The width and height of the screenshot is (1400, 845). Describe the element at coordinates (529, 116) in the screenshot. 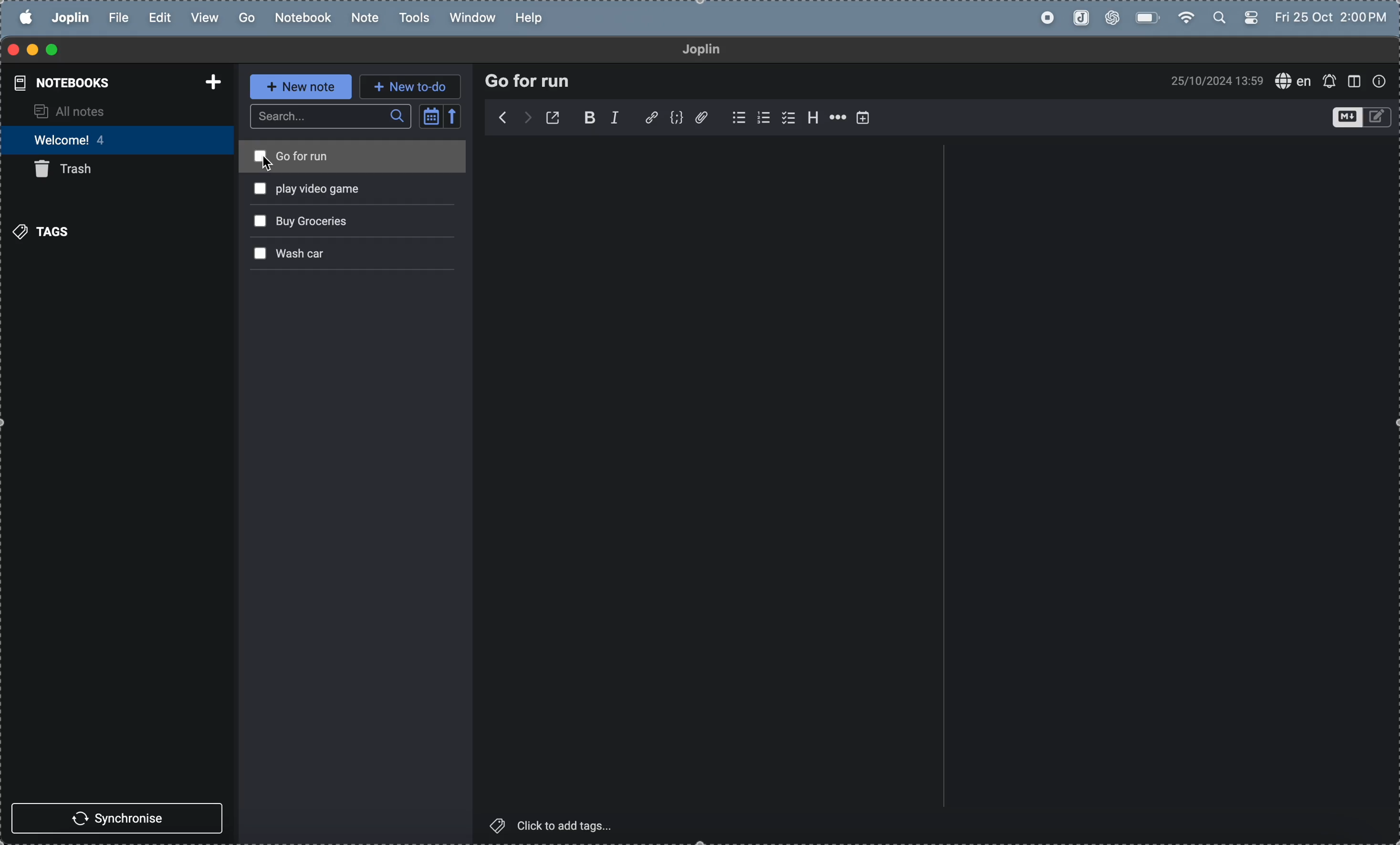

I see `backward` at that location.